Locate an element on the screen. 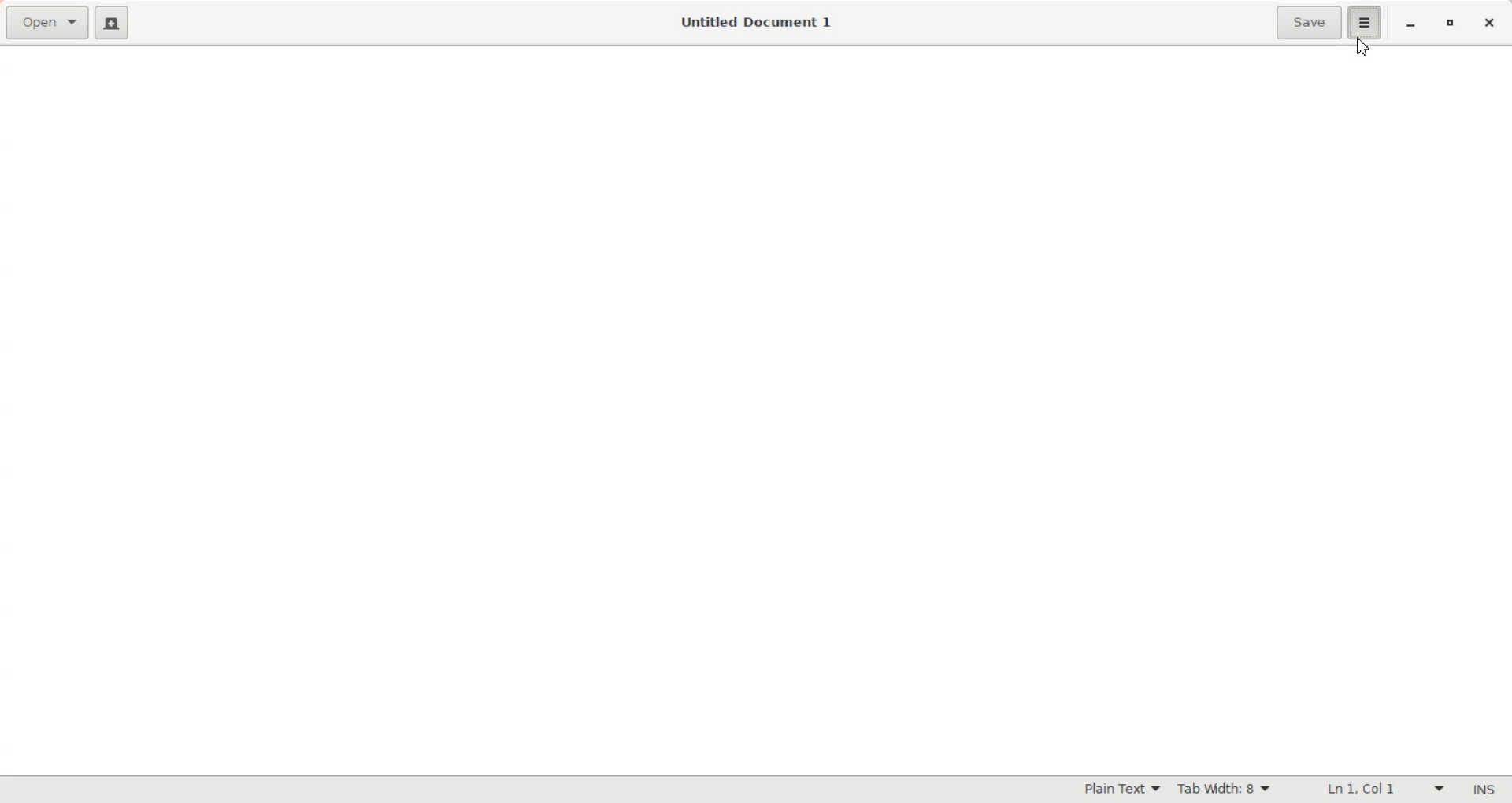 This screenshot has width=1512, height=803. Highlighting Mode is located at coordinates (1120, 790).